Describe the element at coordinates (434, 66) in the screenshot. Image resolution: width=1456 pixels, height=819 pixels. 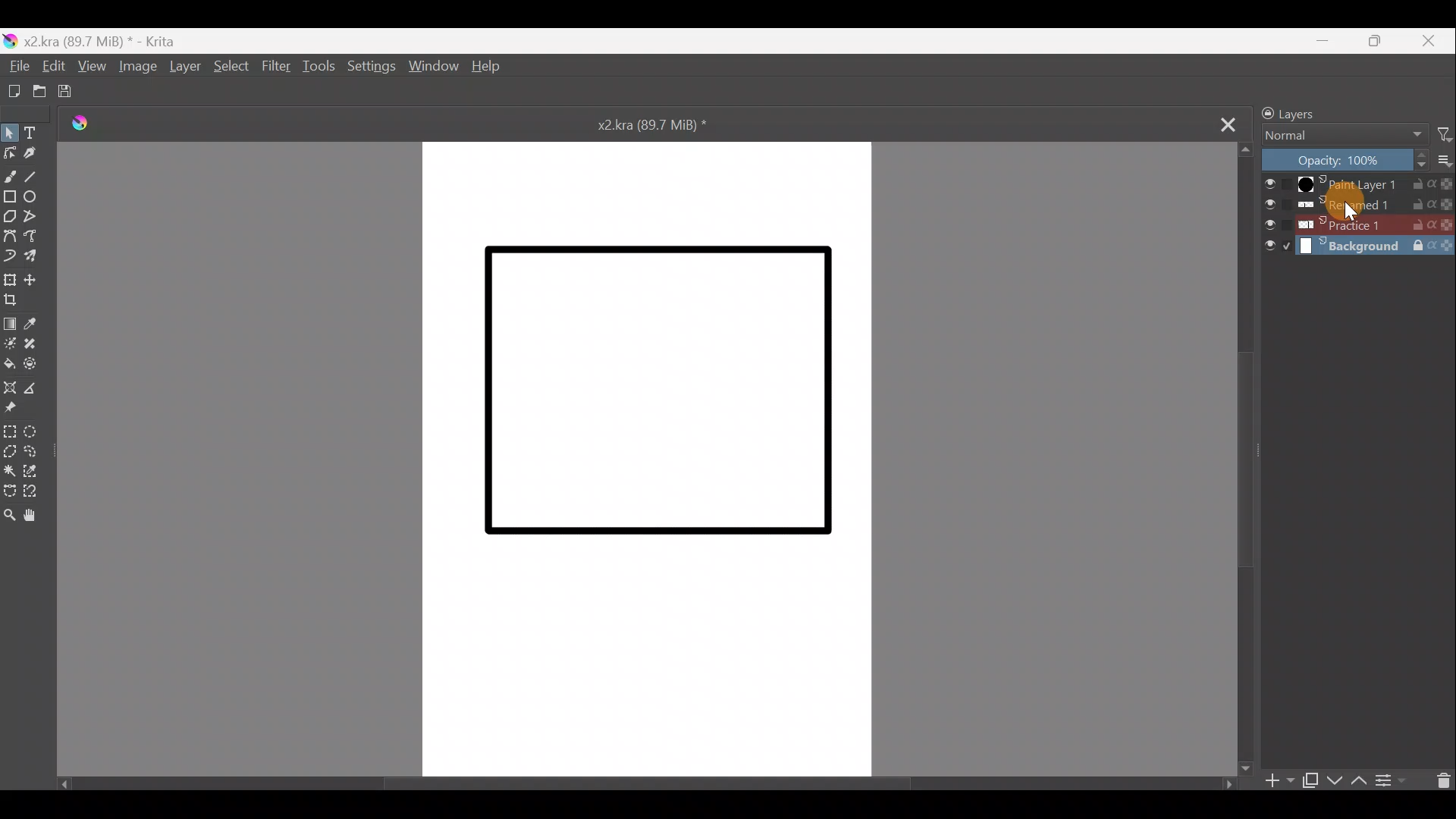
I see `Window` at that location.